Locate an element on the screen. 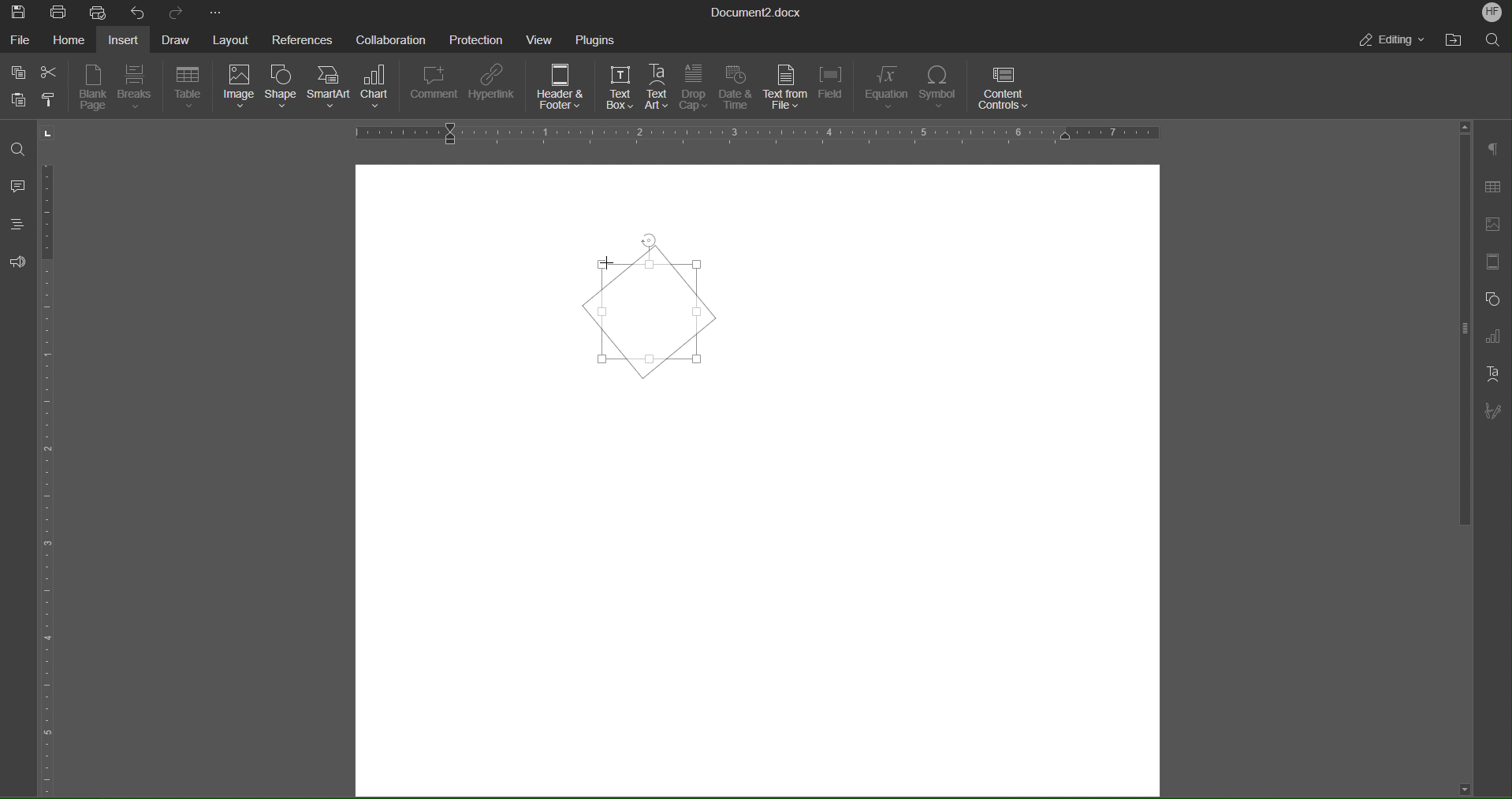  Cursor is located at coordinates (648, 240).